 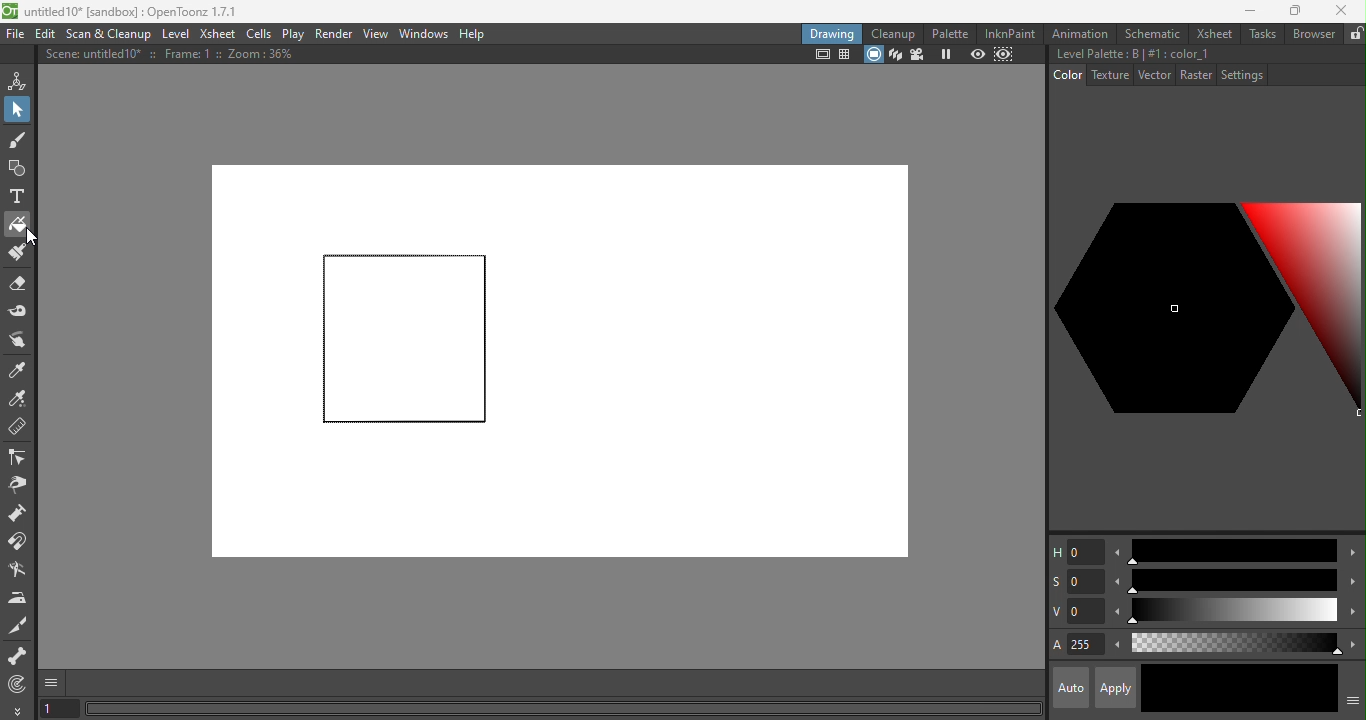 I want to click on Animation, so click(x=1081, y=32).